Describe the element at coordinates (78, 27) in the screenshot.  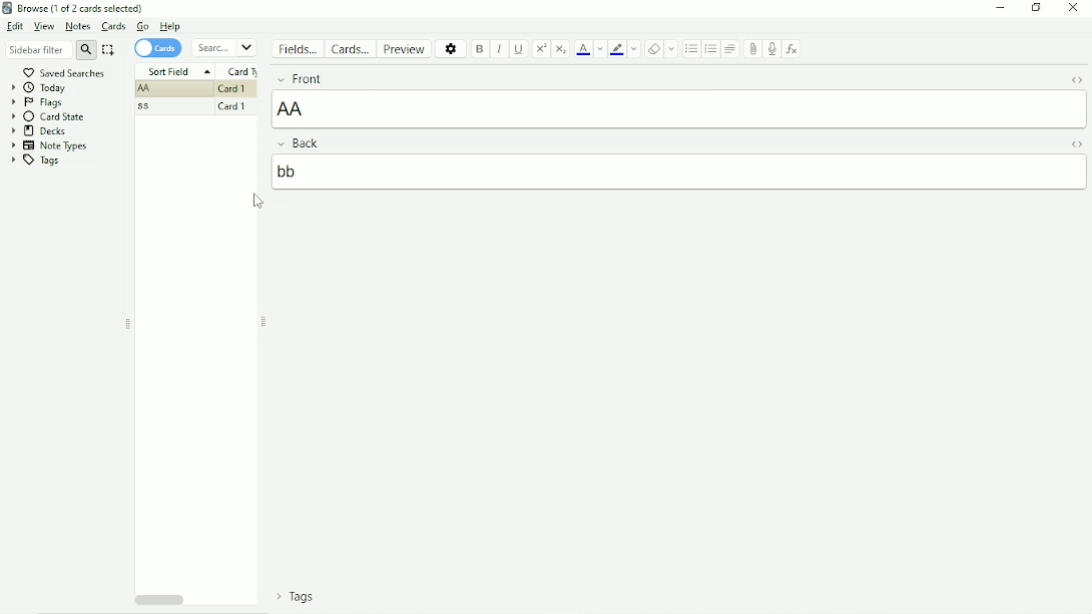
I see `Notes` at that location.